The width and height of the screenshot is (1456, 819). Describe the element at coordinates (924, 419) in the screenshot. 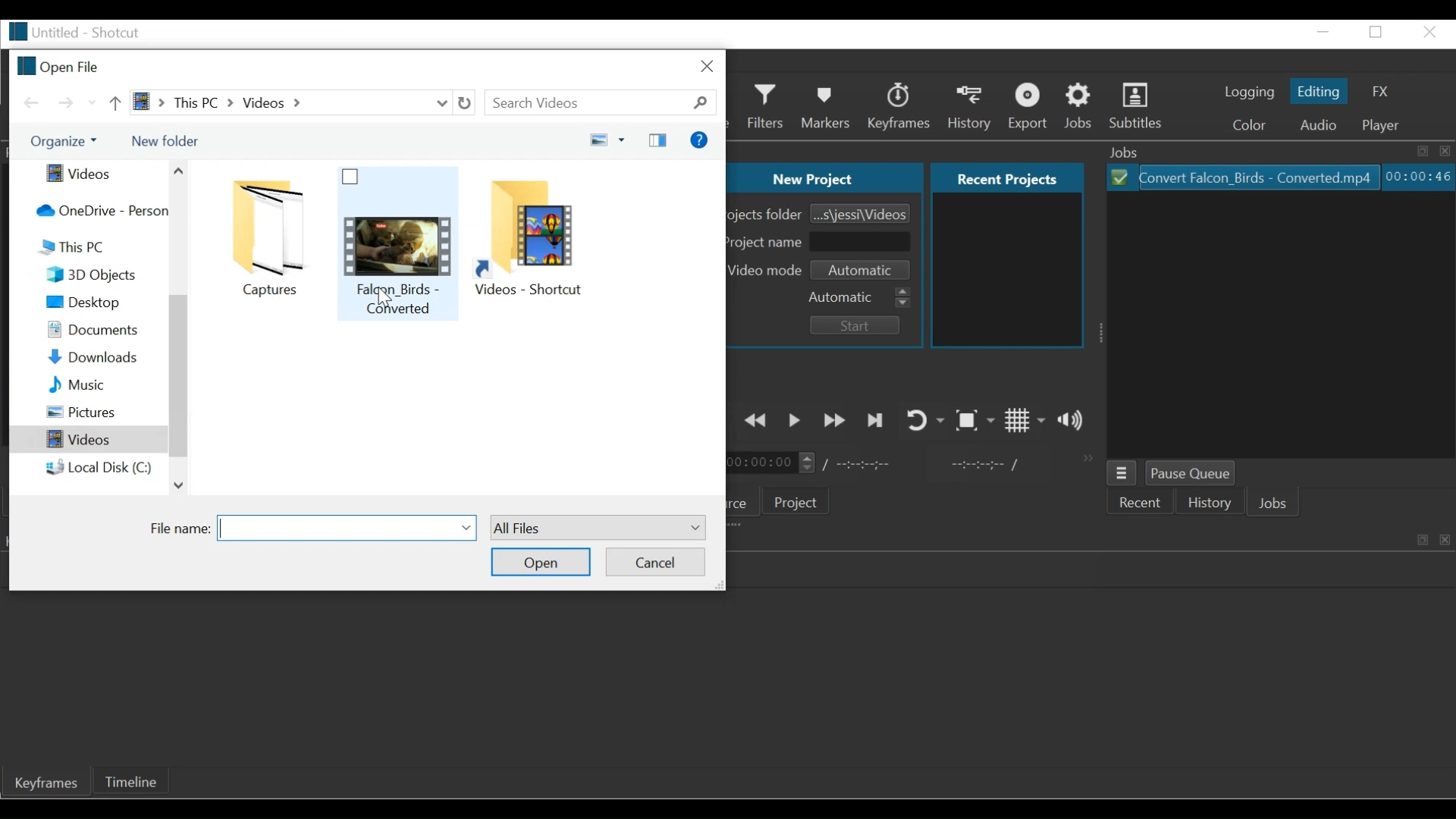

I see `Toggle player looping` at that location.